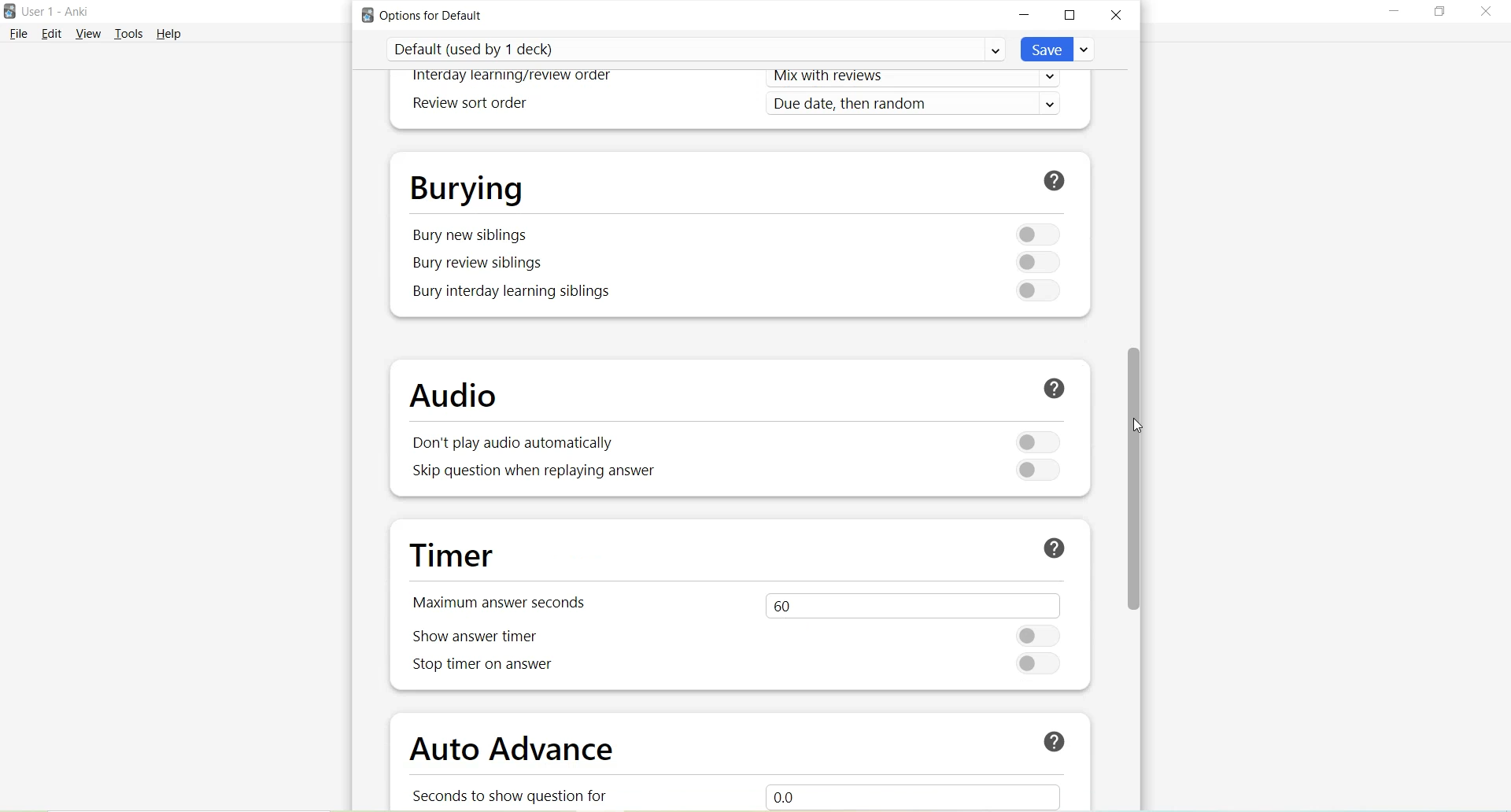 The image size is (1511, 812). Describe the element at coordinates (1439, 12) in the screenshot. I see `Maximize` at that location.